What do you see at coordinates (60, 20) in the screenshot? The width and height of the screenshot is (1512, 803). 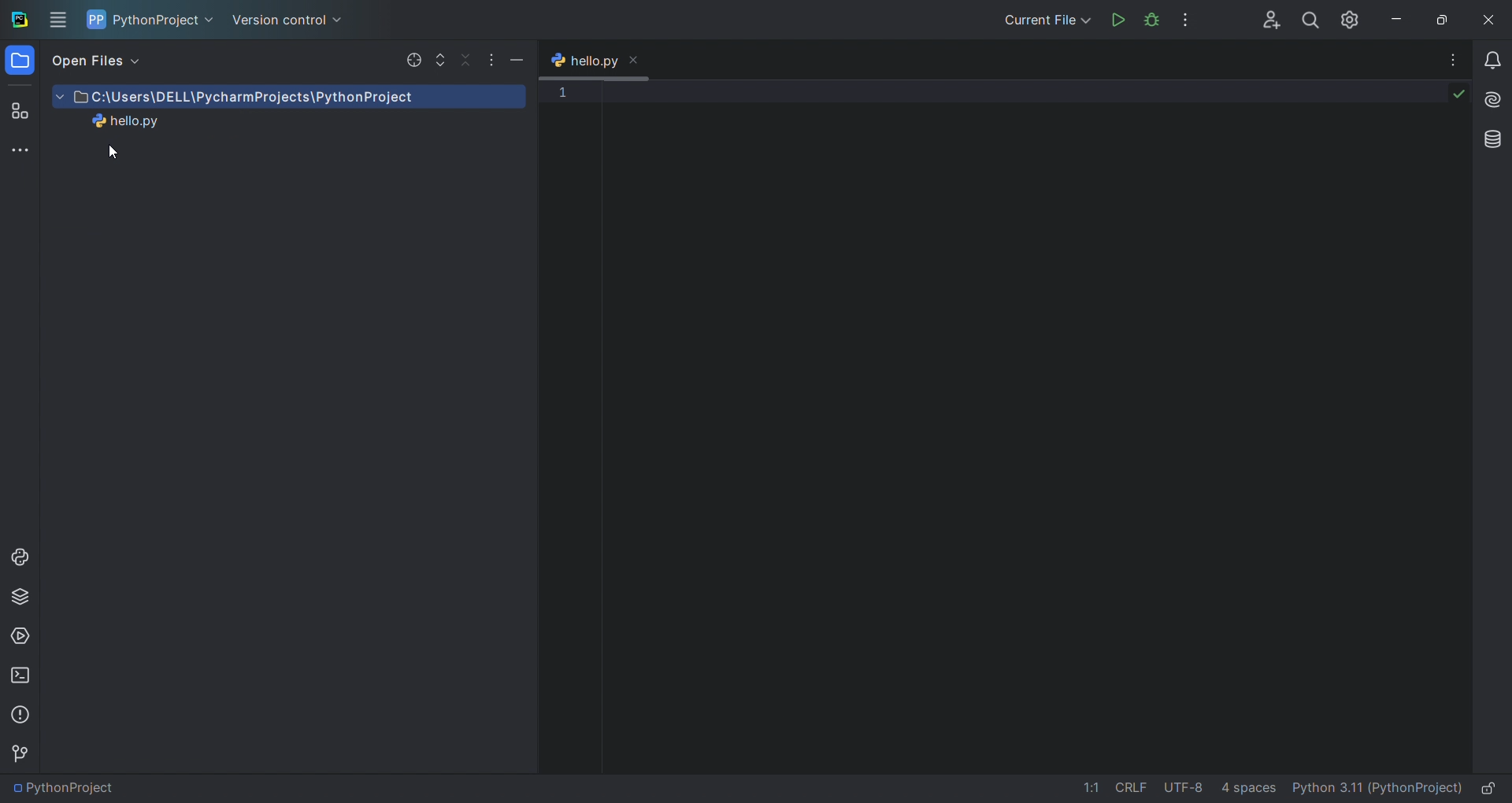 I see `menu` at bounding box center [60, 20].